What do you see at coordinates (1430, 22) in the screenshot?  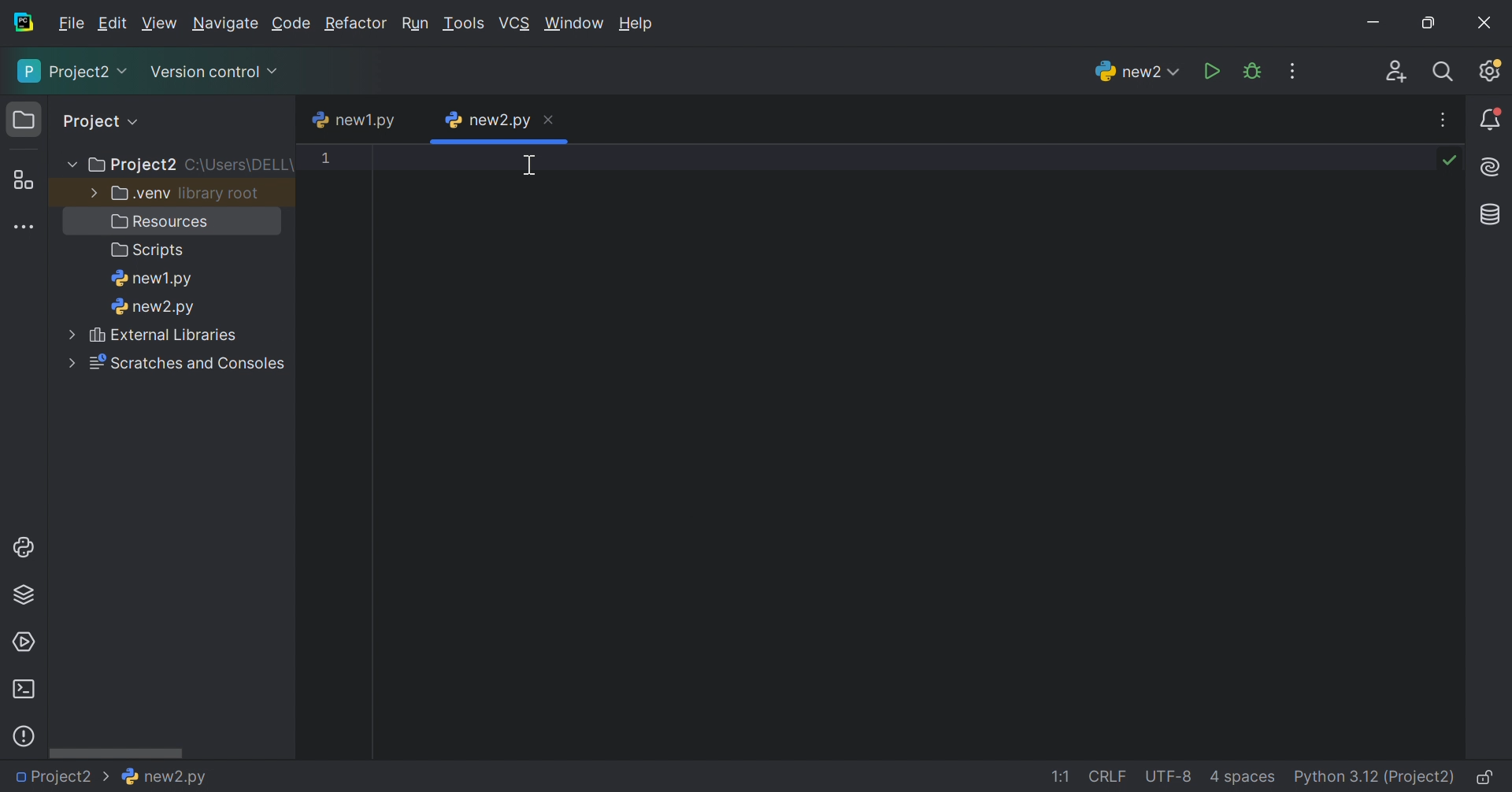 I see `Restore down` at bounding box center [1430, 22].